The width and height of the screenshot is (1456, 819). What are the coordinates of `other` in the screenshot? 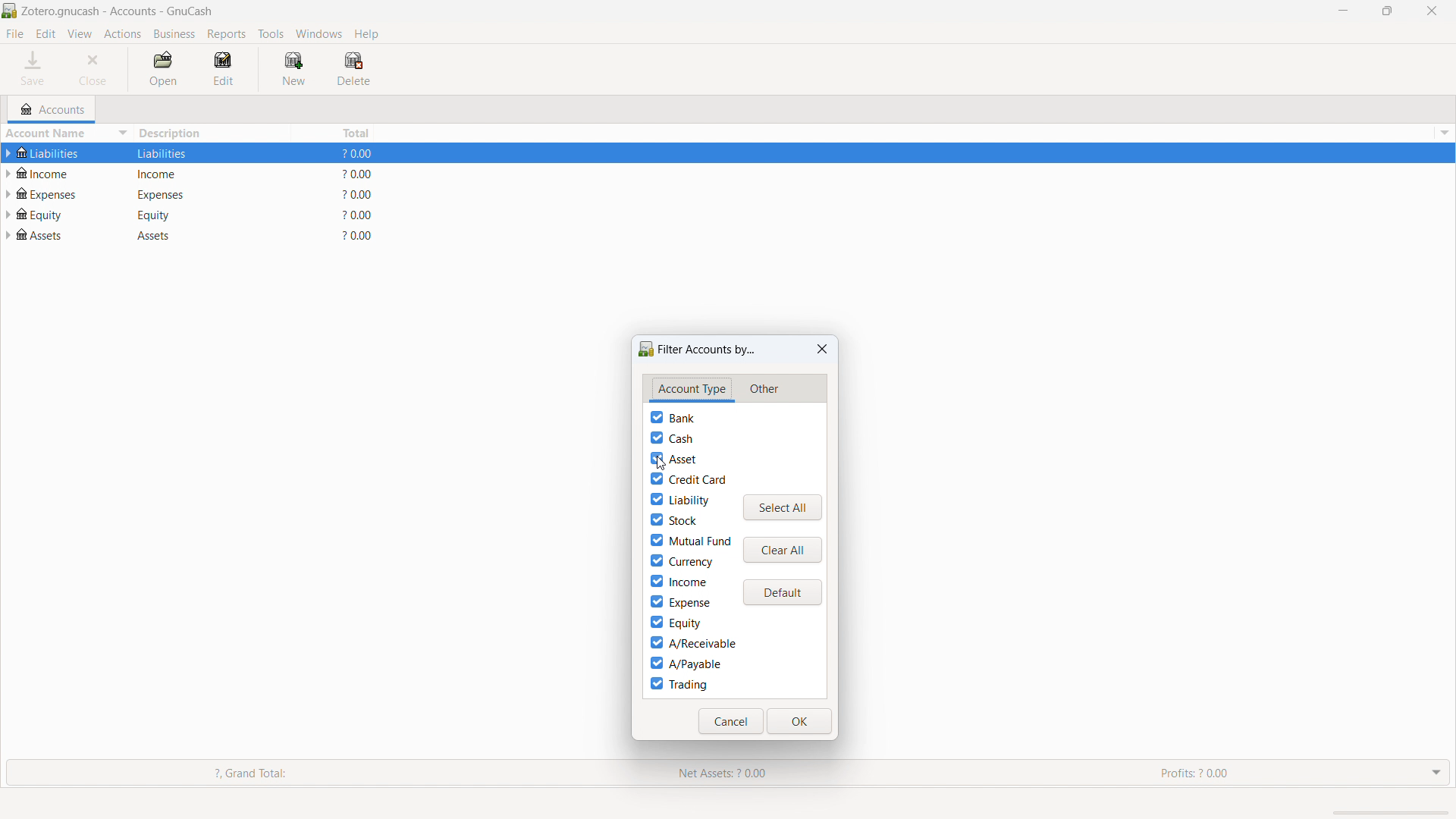 It's located at (763, 390).